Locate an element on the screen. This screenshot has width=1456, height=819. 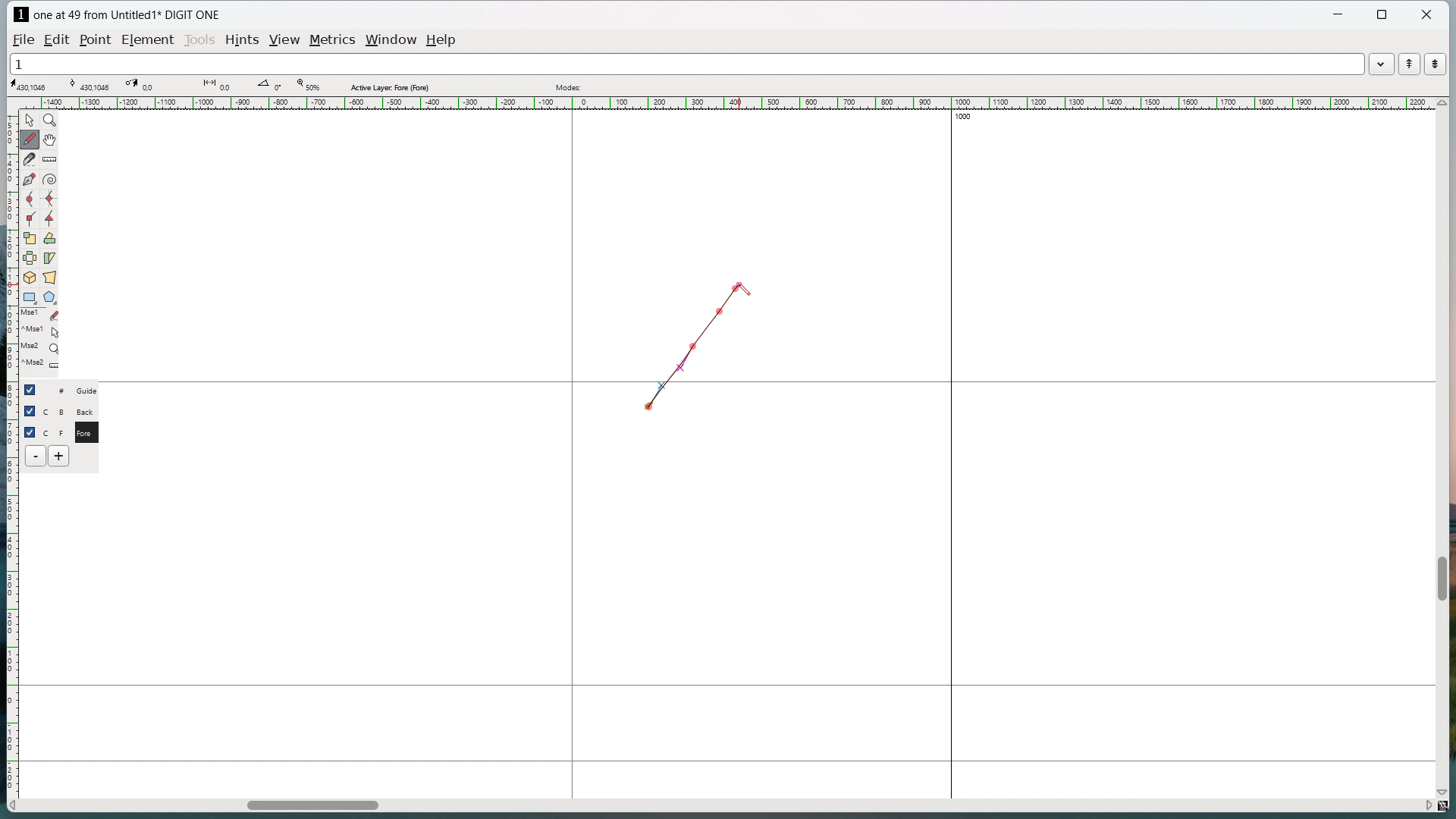
hints is located at coordinates (243, 41).